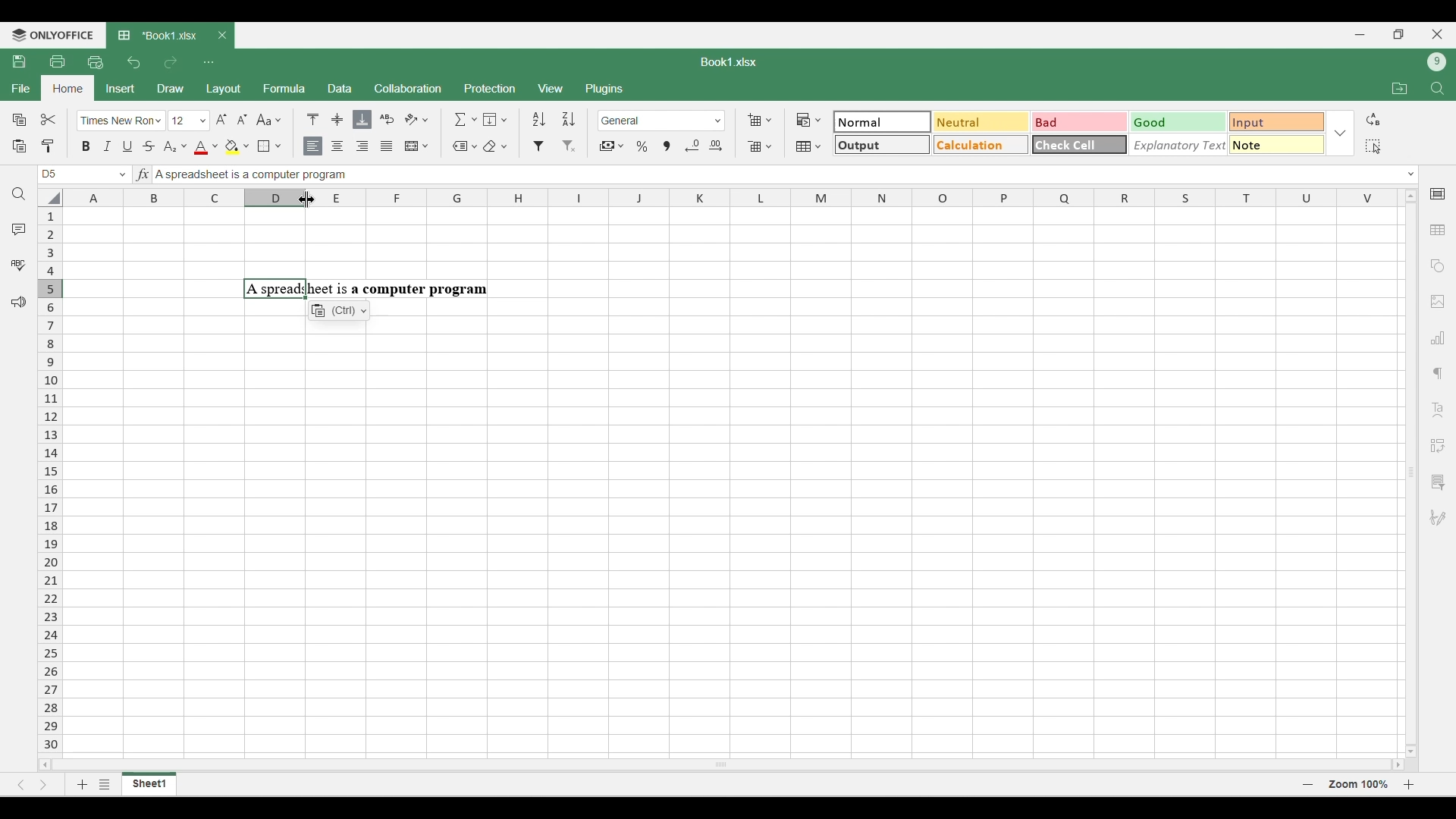 The image size is (1456, 819). I want to click on Book1.xlsx, so click(729, 62).